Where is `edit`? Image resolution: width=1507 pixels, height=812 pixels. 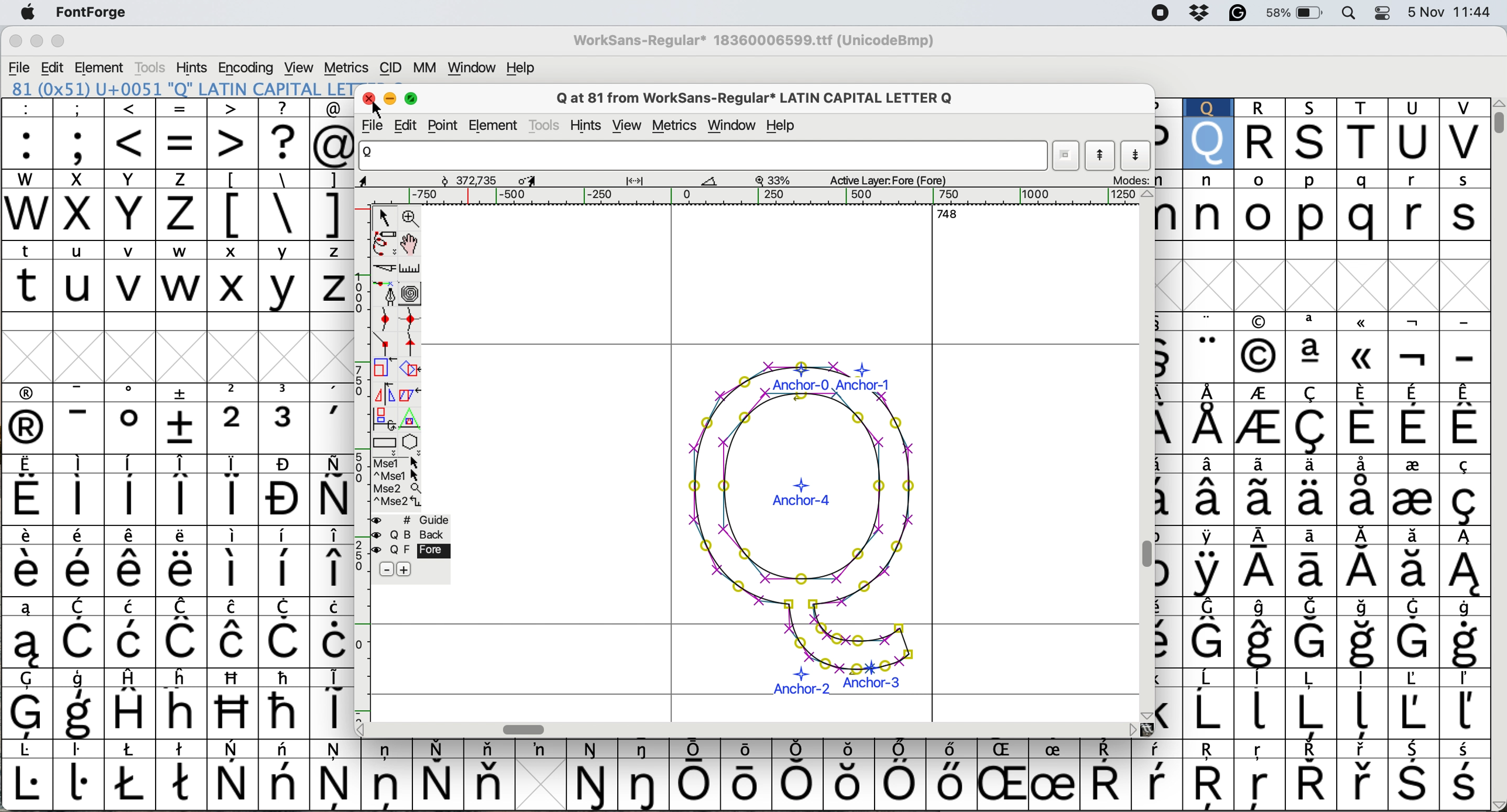 edit is located at coordinates (412, 125).